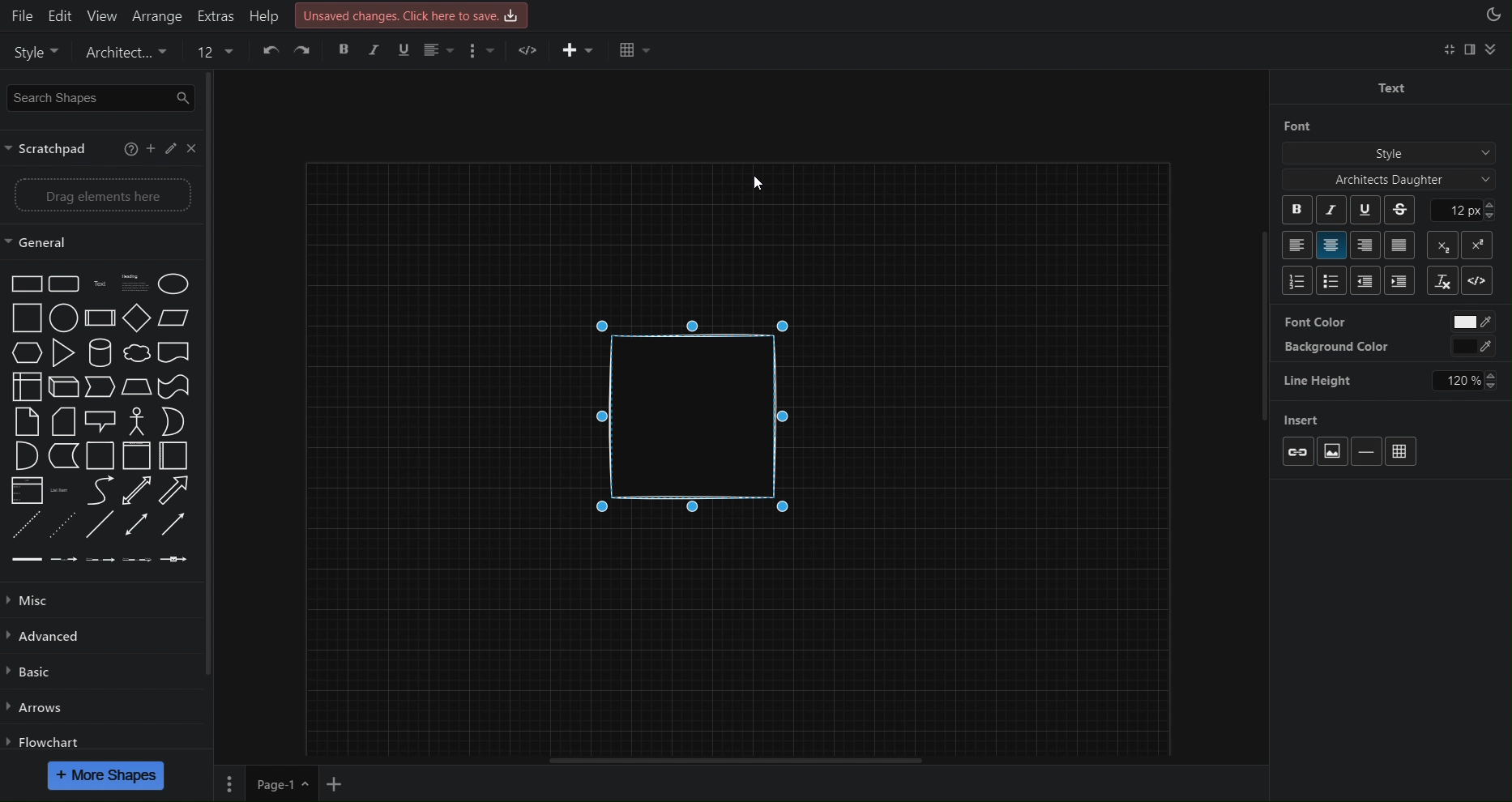 This screenshot has width=1512, height=802. Describe the element at coordinates (410, 14) in the screenshot. I see `Unsaved changes. Click here to save` at that location.